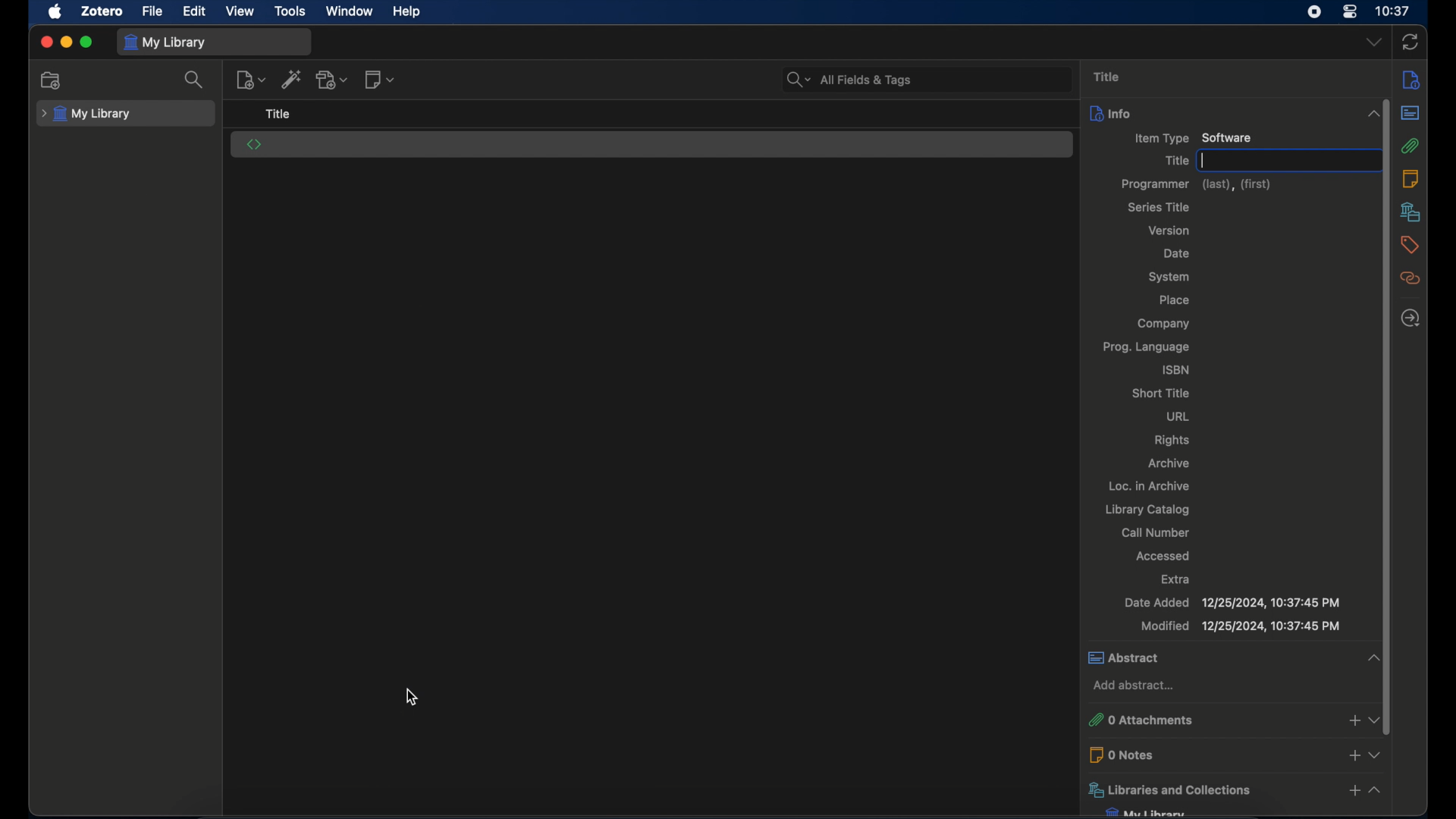  I want to click on search, so click(196, 80).